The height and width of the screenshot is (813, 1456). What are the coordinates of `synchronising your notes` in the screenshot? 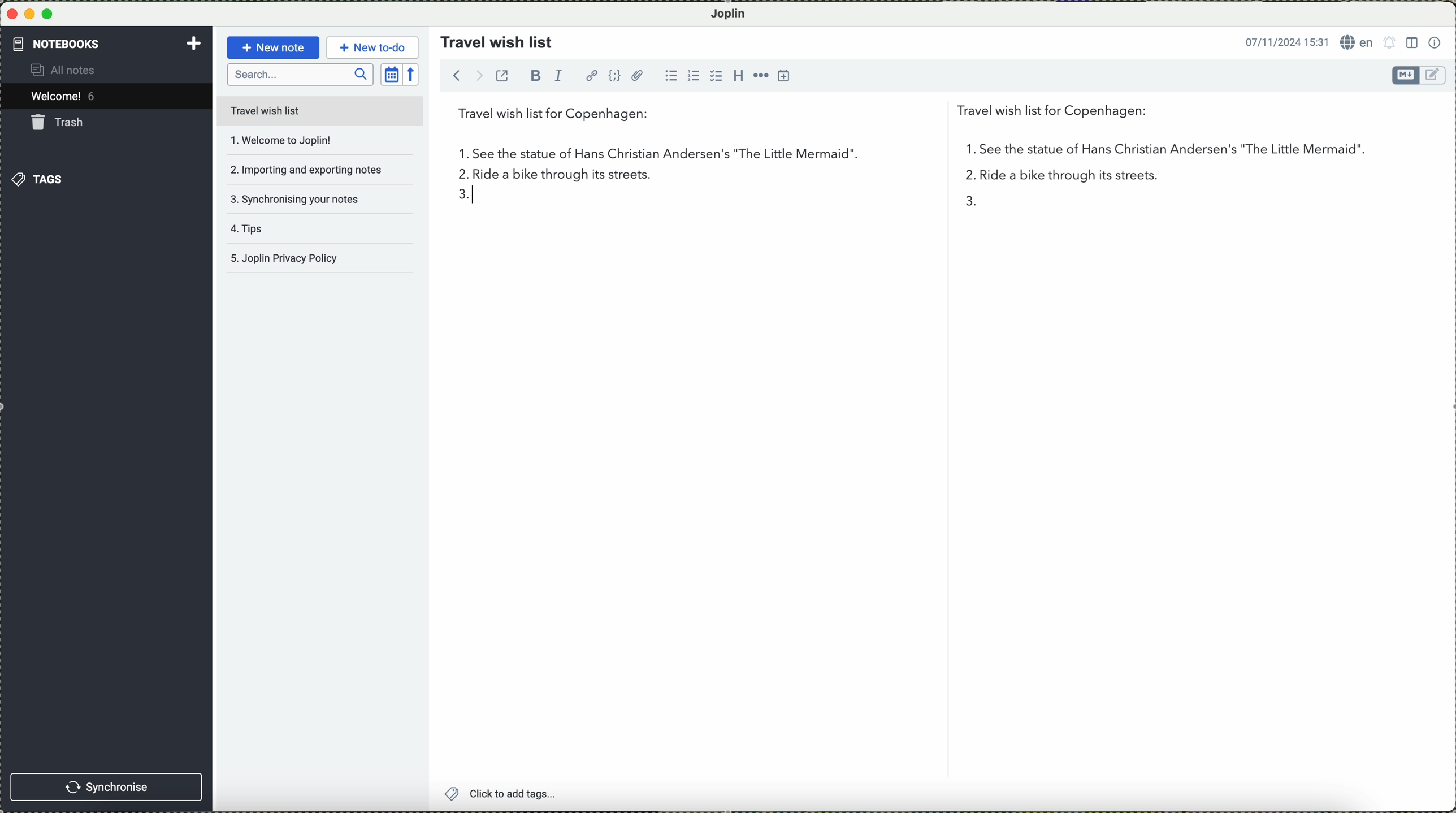 It's located at (304, 198).